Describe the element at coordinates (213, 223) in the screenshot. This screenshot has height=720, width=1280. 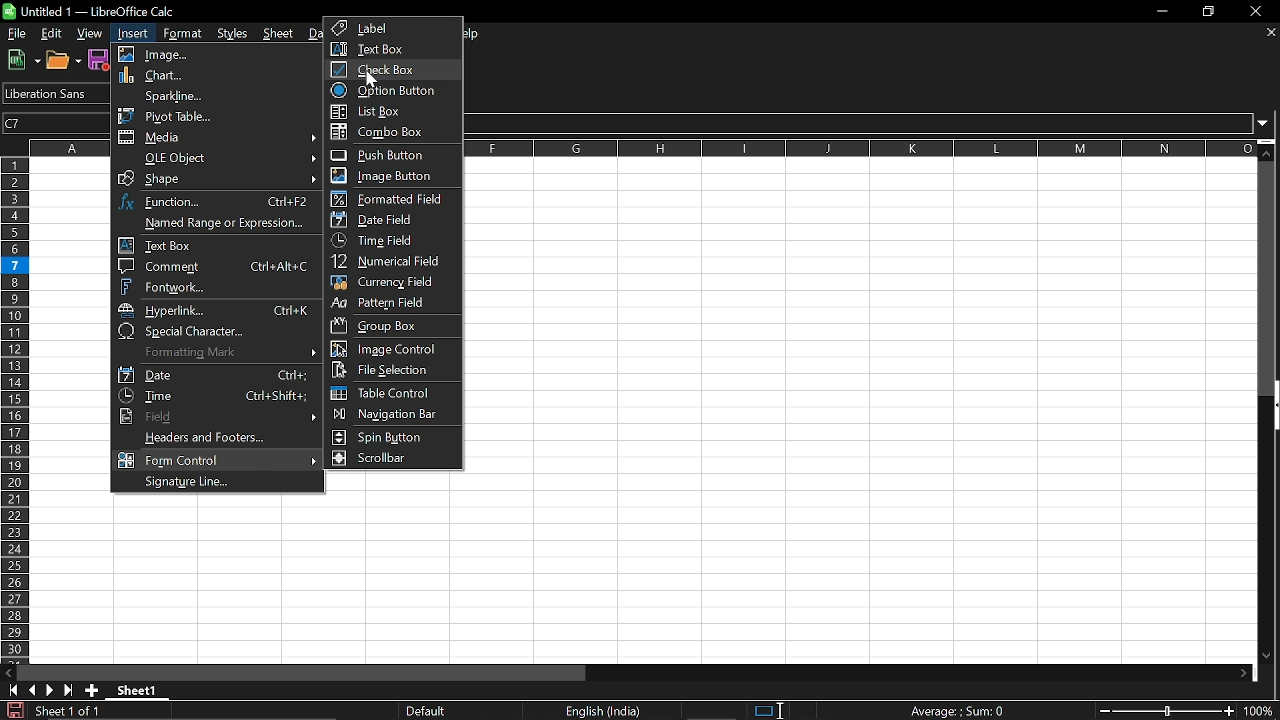
I see `NAmed Range or Expression` at that location.